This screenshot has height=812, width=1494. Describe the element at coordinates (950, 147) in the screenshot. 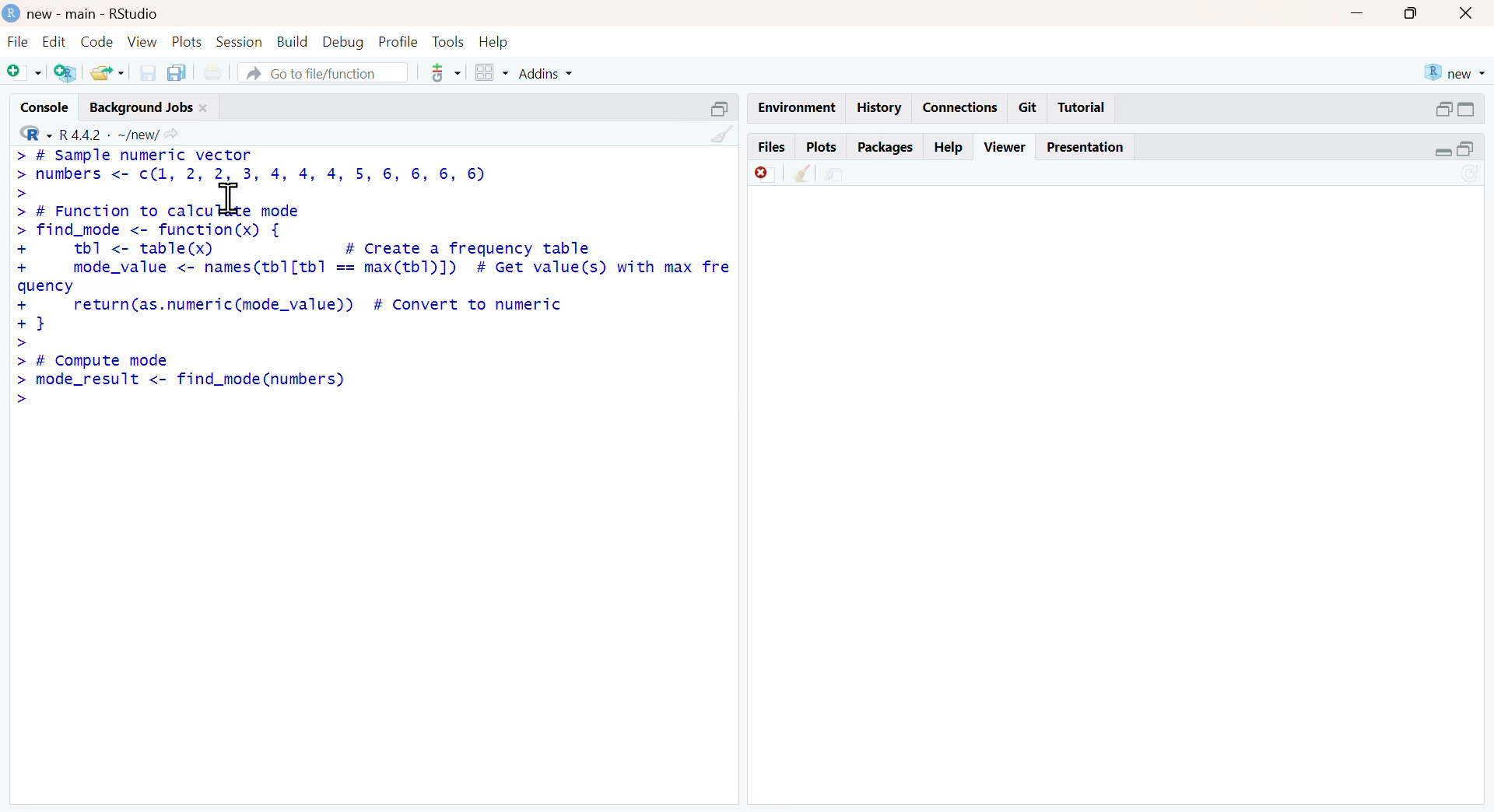

I see `help` at that location.